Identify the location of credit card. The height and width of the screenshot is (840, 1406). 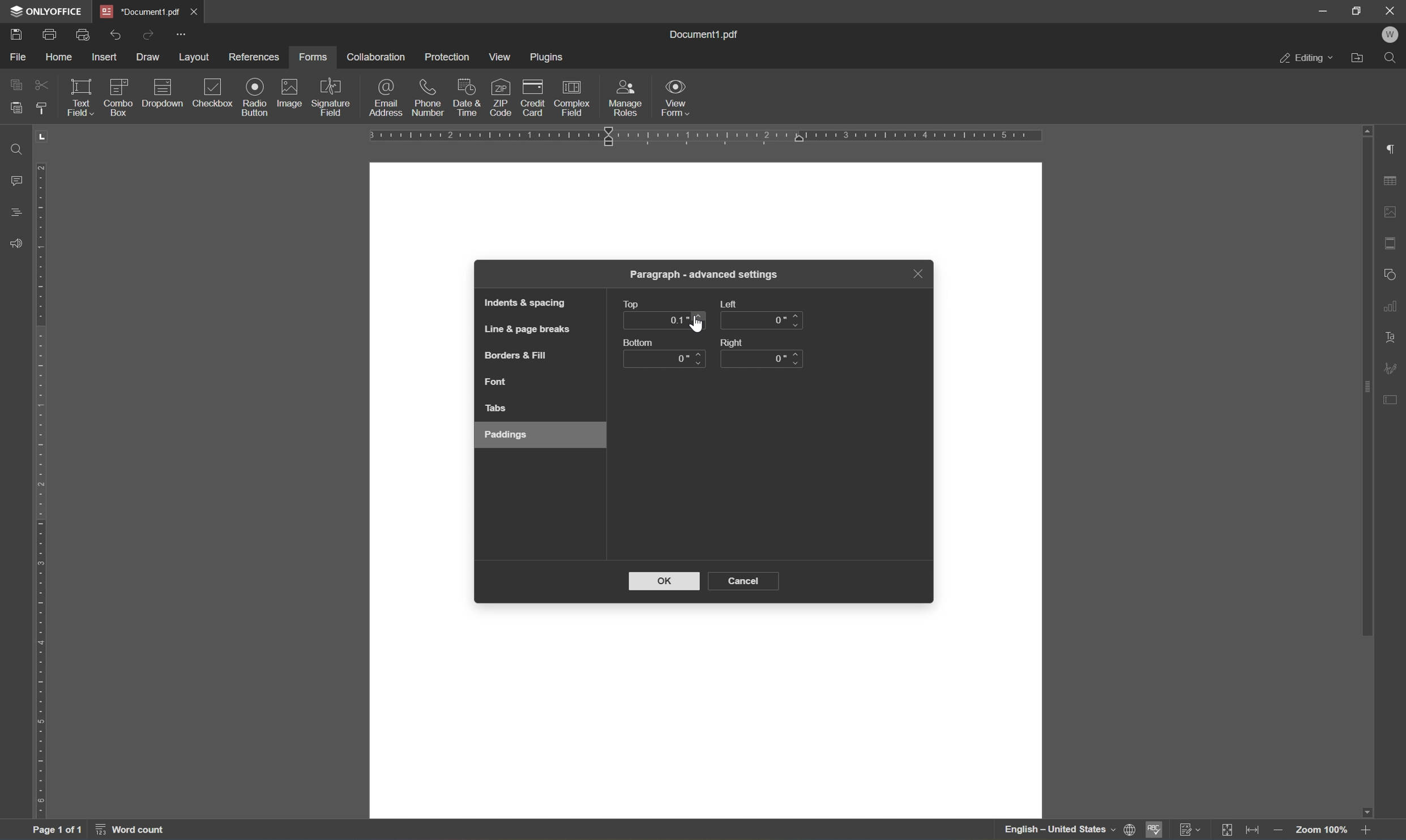
(533, 97).